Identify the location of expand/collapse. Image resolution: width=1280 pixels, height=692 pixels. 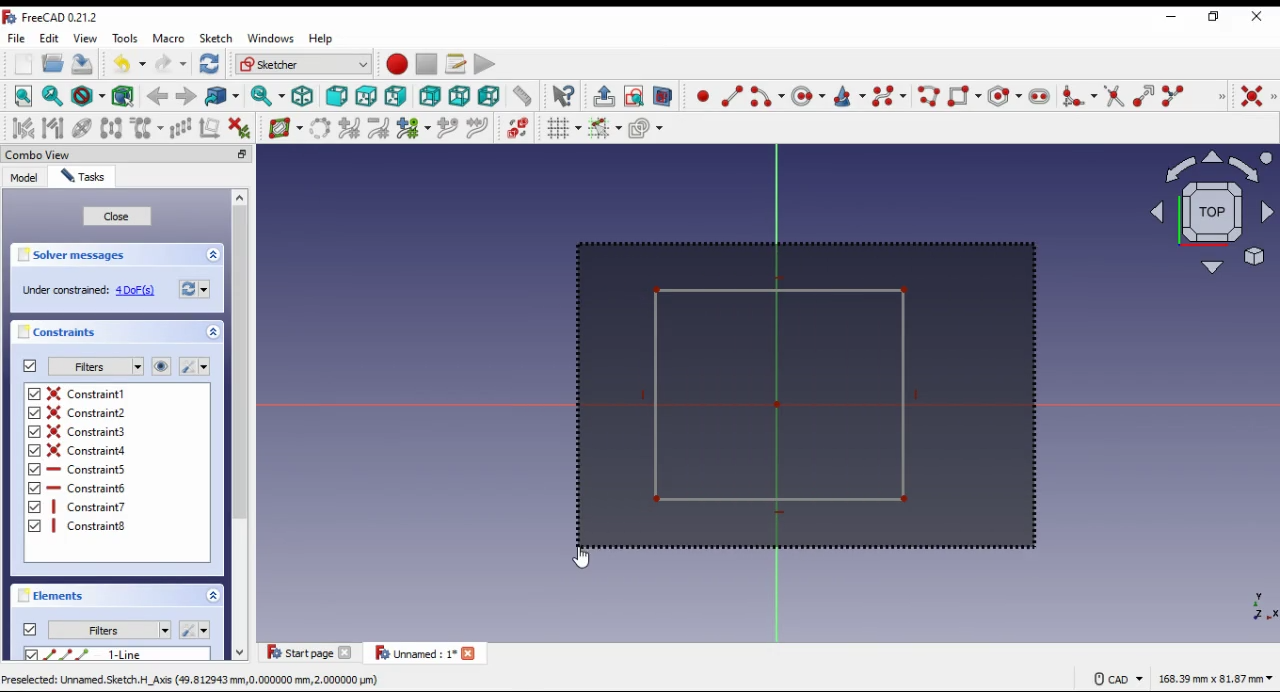
(213, 595).